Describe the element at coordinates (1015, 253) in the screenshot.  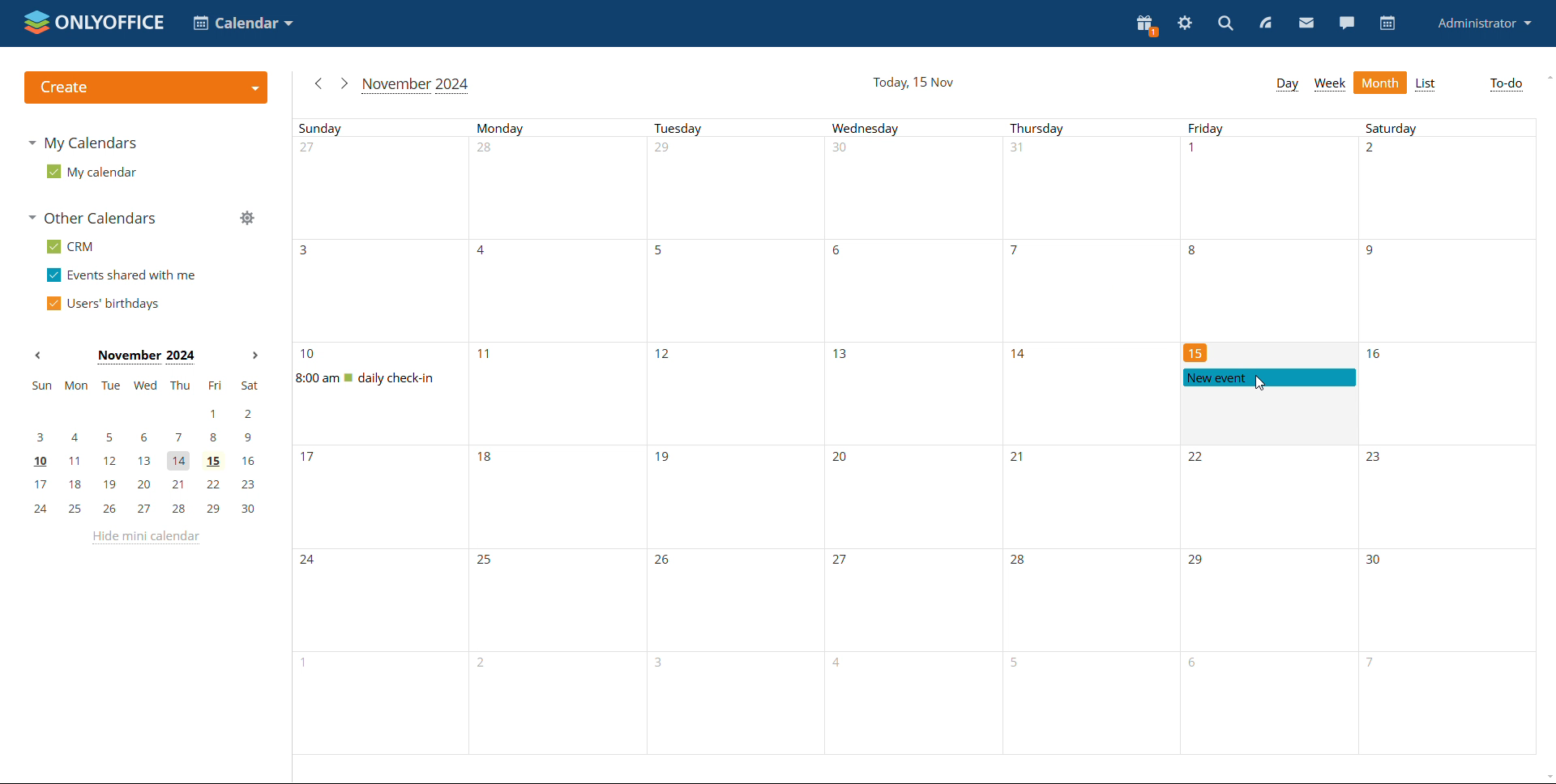
I see `Number` at that location.